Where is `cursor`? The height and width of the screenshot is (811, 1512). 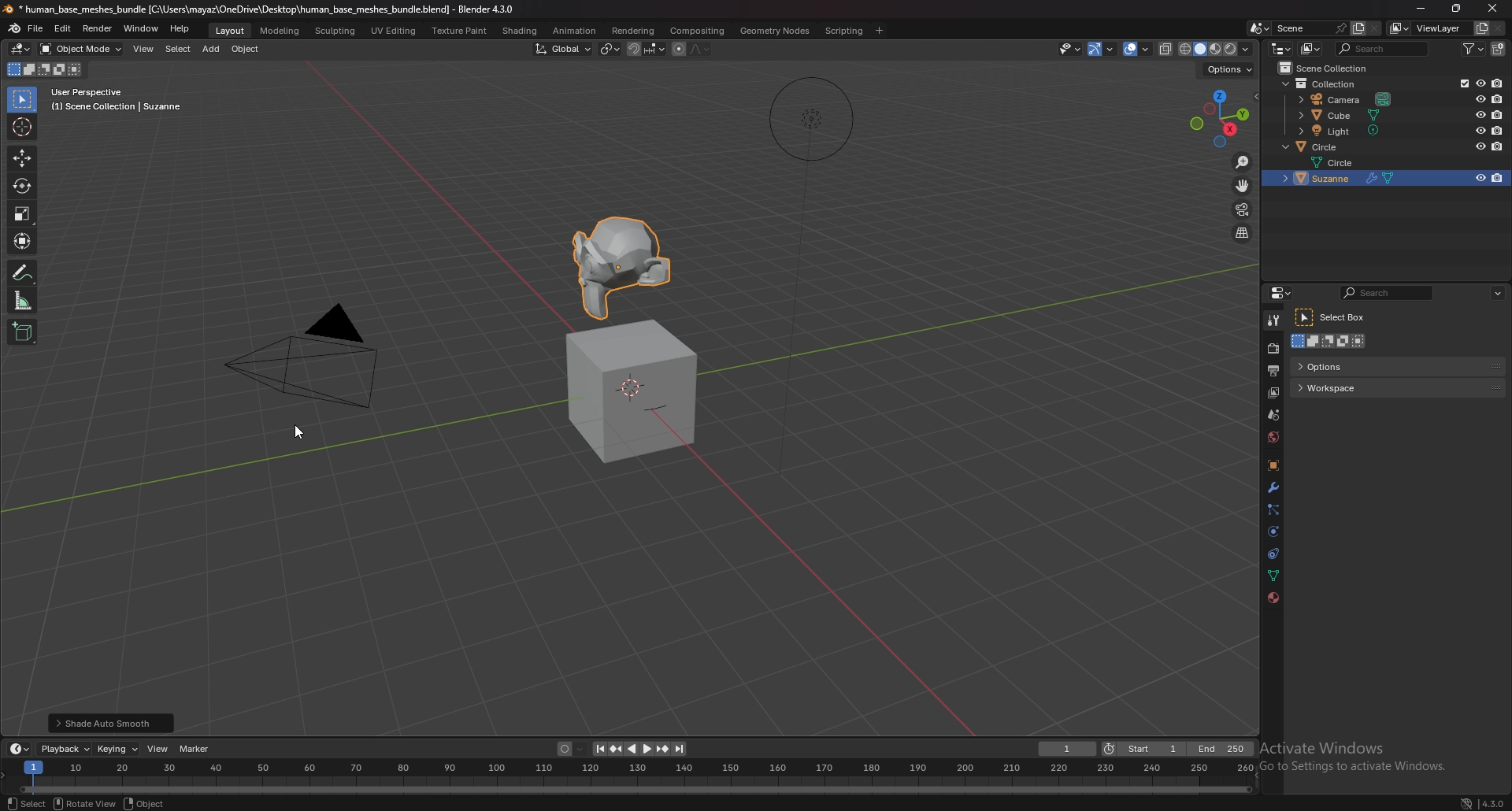 cursor is located at coordinates (24, 127).